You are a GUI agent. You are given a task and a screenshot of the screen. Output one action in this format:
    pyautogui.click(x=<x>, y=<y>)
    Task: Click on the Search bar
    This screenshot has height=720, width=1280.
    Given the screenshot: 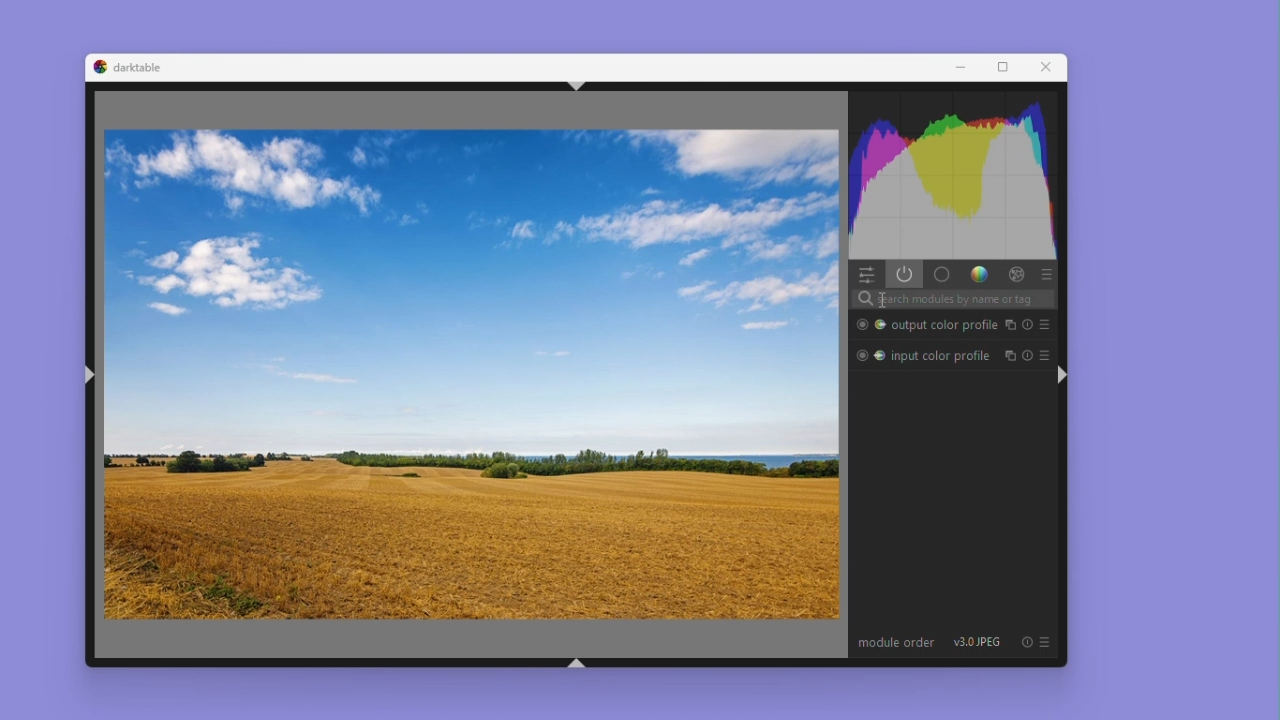 What is the action you would take?
    pyautogui.click(x=954, y=299)
    